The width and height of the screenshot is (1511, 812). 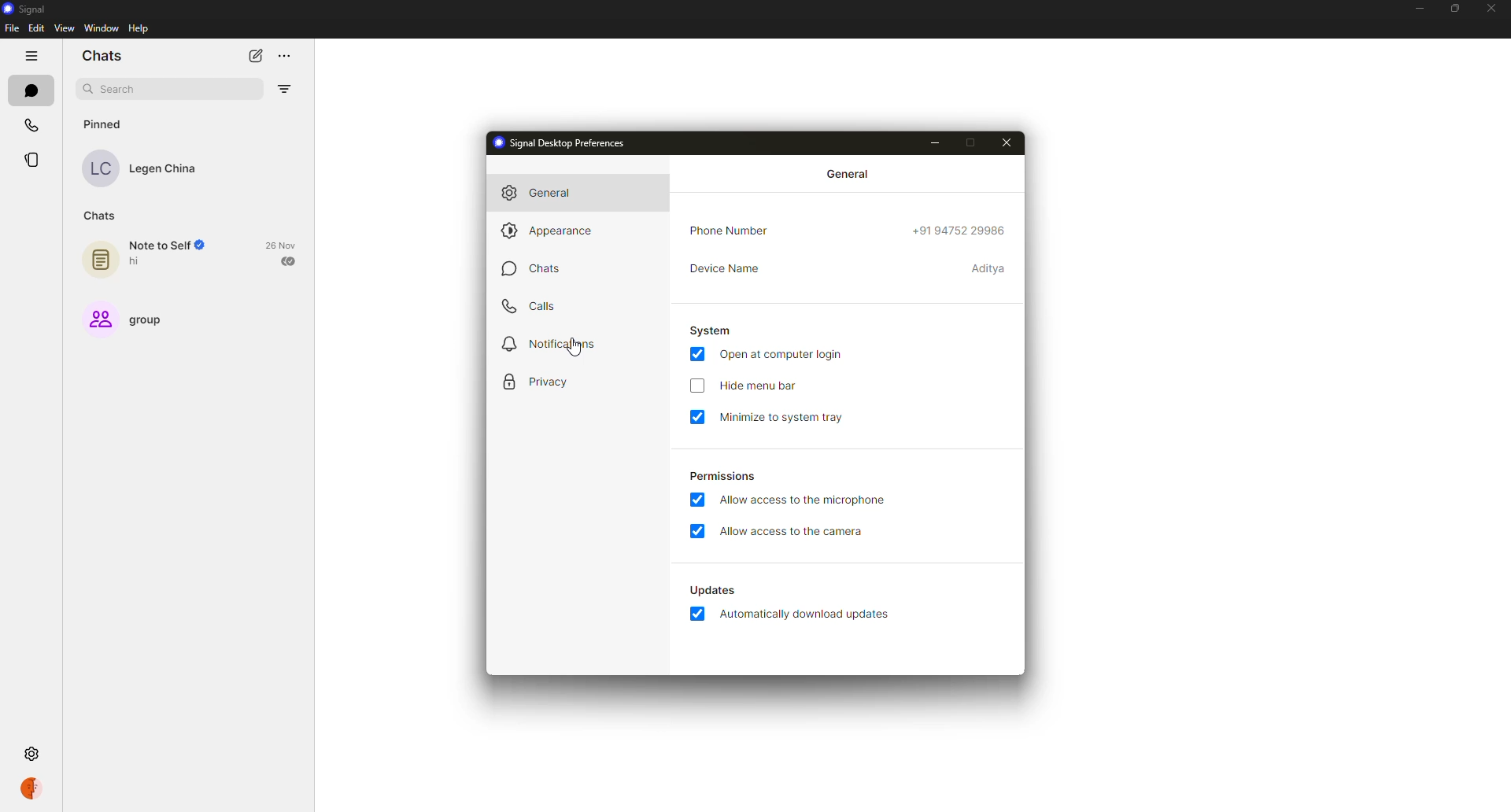 What do you see at coordinates (846, 175) in the screenshot?
I see `general` at bounding box center [846, 175].